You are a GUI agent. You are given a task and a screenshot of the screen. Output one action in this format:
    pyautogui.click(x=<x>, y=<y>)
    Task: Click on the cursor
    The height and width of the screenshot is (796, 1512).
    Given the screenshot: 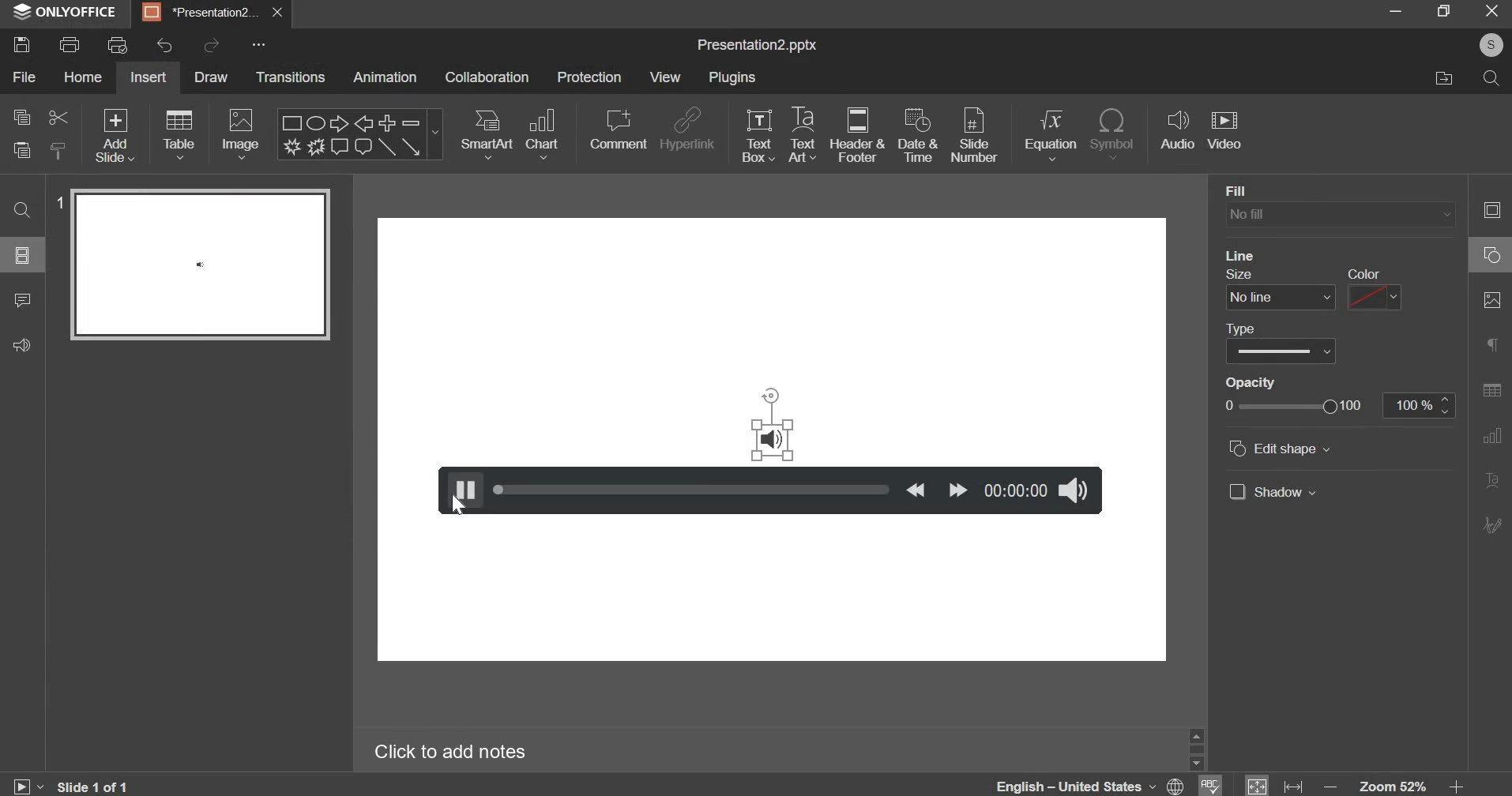 What is the action you would take?
    pyautogui.click(x=458, y=505)
    